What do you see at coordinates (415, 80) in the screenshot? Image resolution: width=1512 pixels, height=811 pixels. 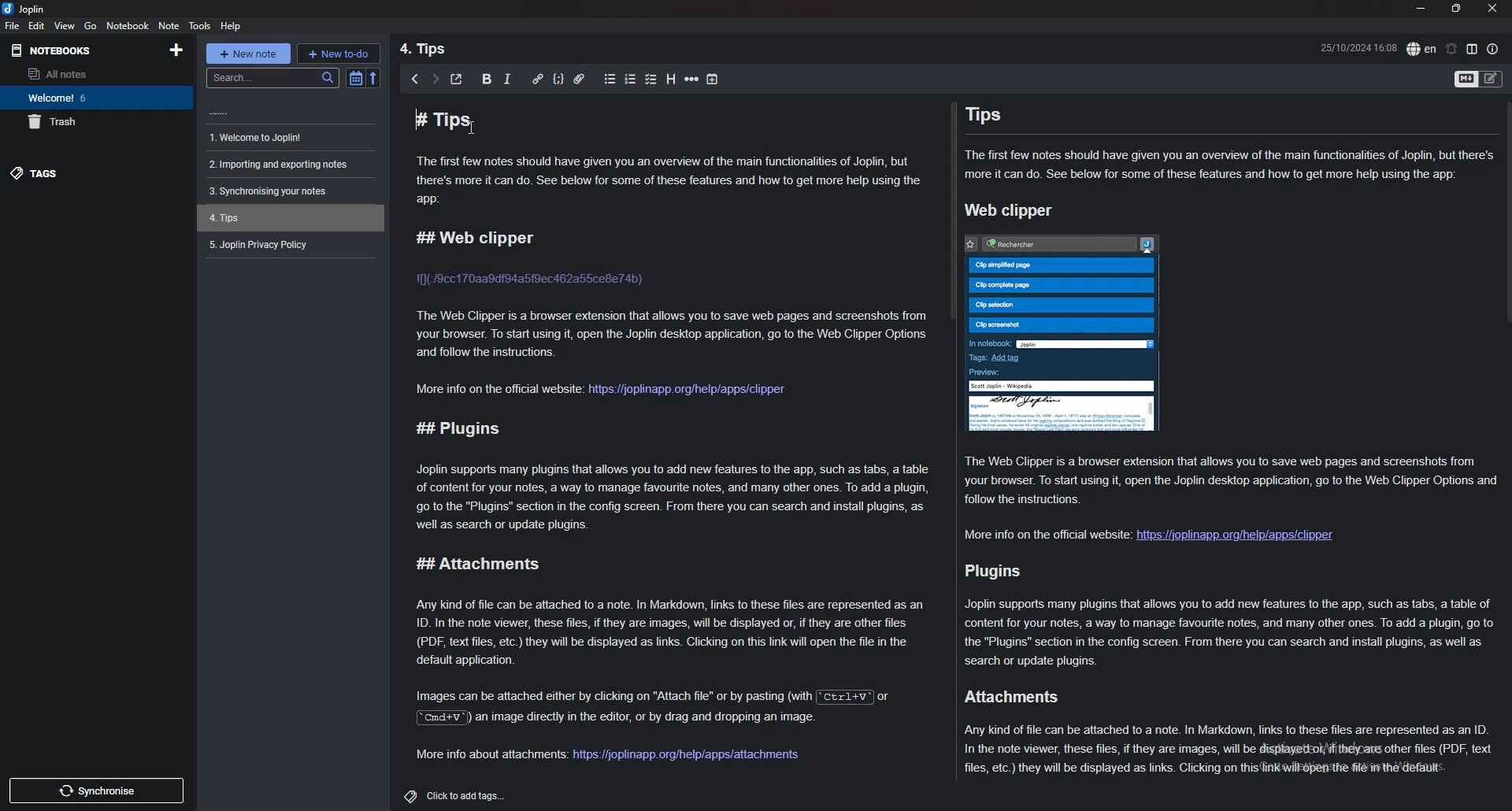 I see `Go back` at bounding box center [415, 80].